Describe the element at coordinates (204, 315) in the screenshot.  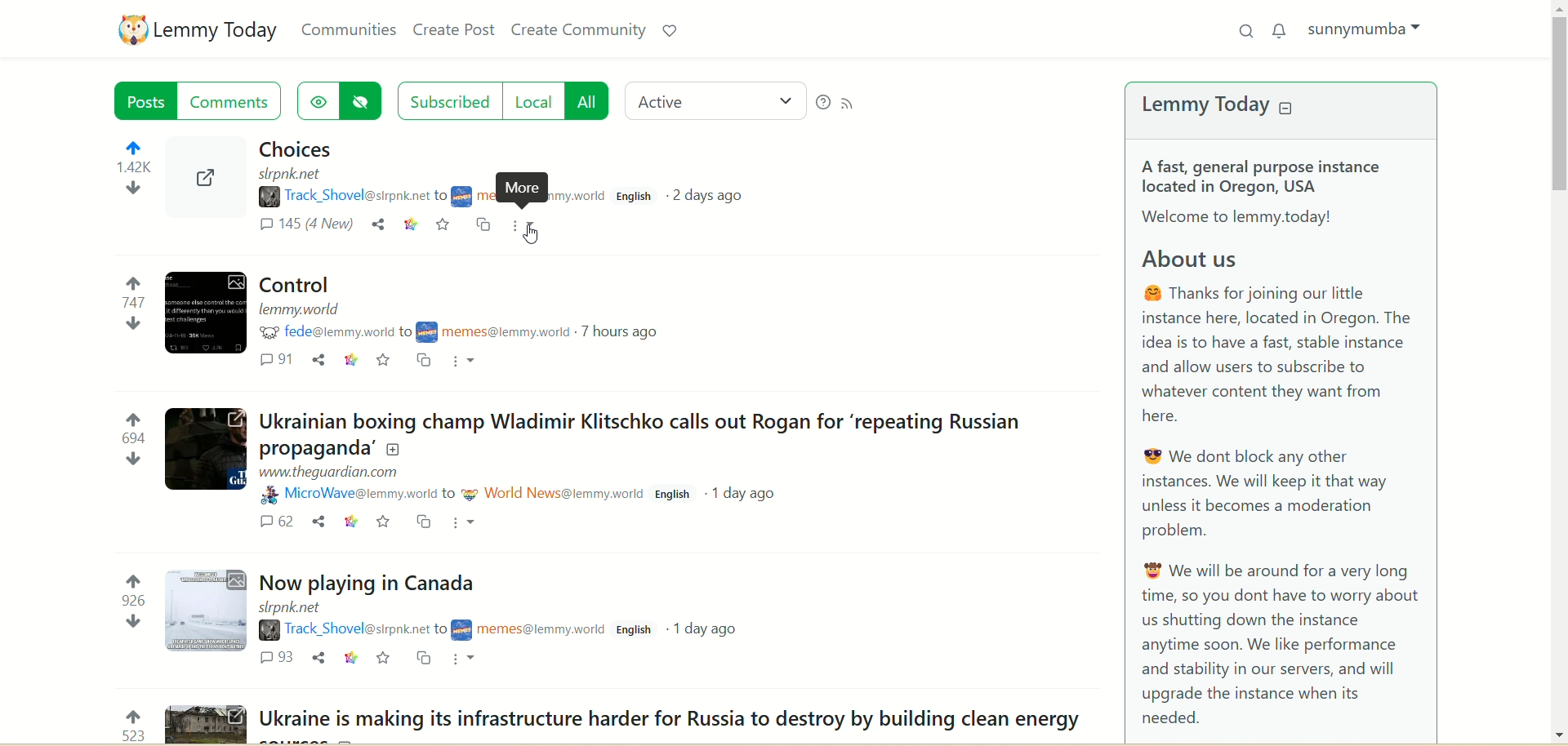
I see `Expand the post with image details` at that location.